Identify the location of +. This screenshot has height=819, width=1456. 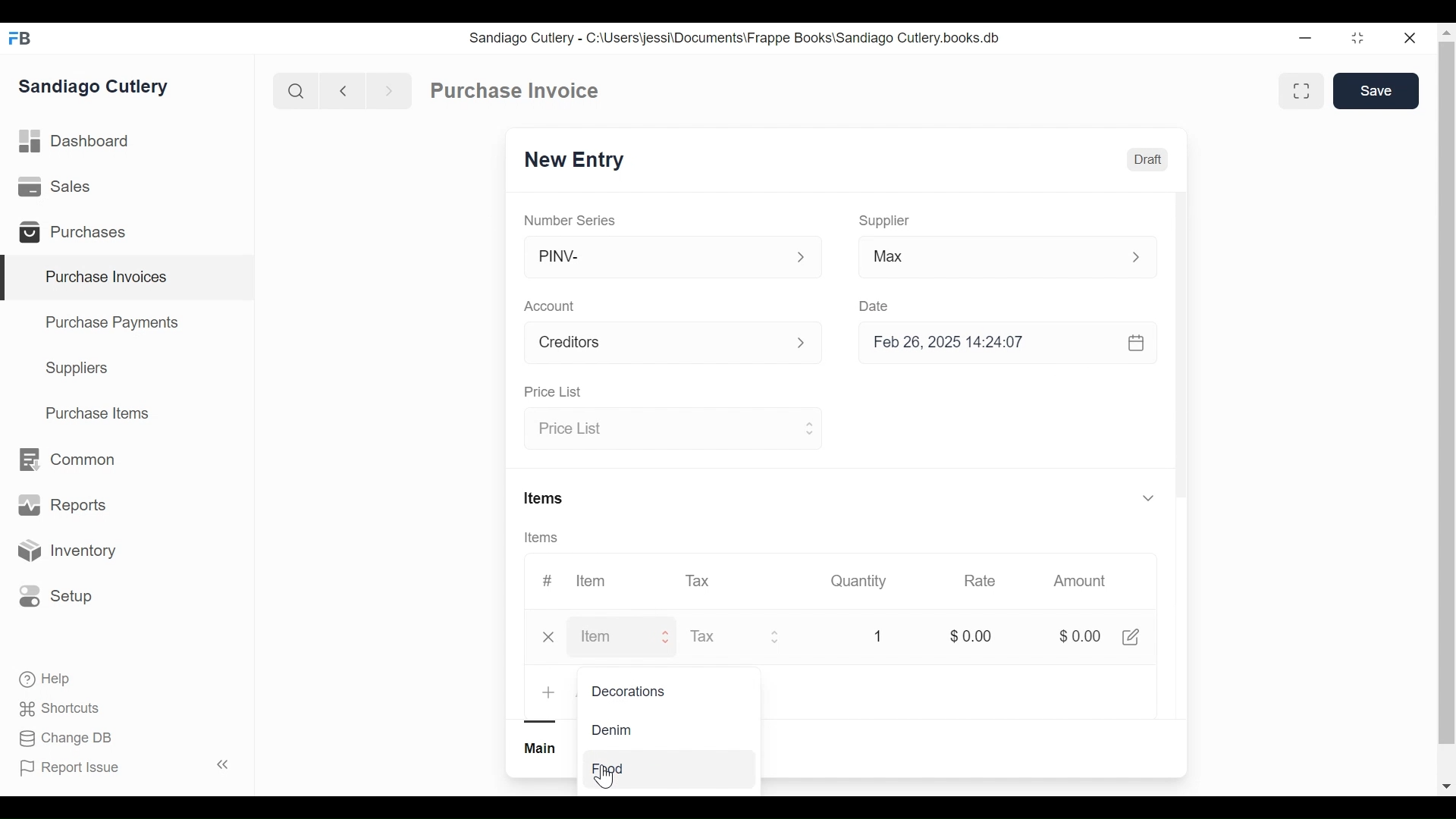
(549, 692).